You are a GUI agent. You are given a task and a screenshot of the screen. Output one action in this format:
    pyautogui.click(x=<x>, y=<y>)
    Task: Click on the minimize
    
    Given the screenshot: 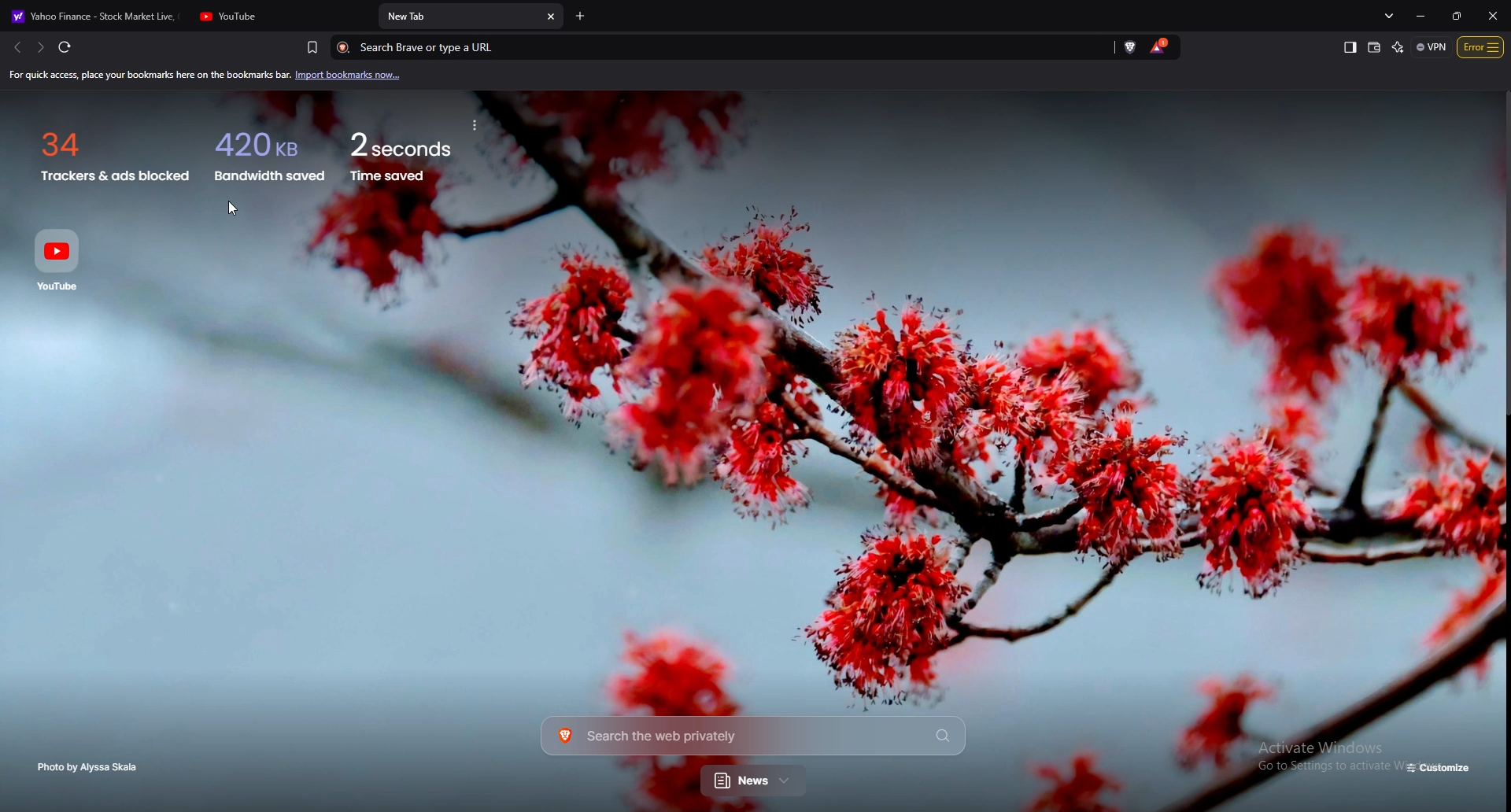 What is the action you would take?
    pyautogui.click(x=1424, y=16)
    